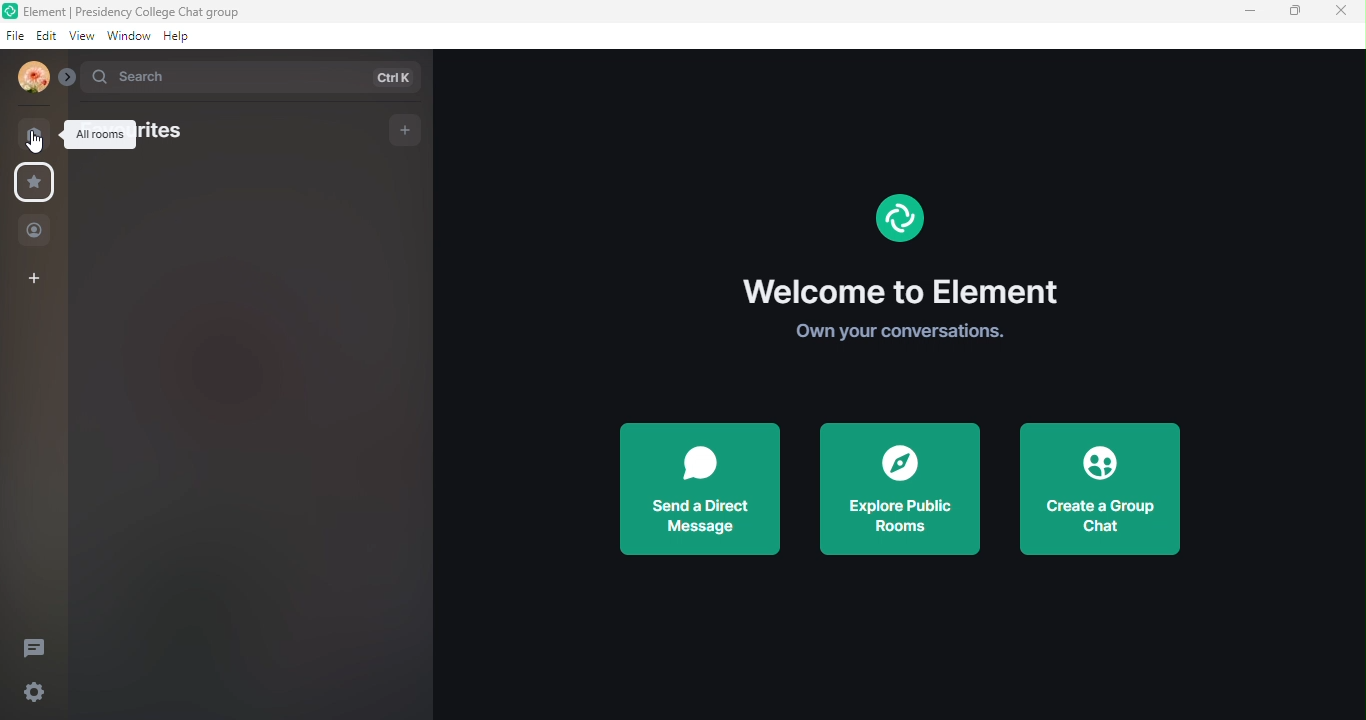  I want to click on search, so click(259, 78).